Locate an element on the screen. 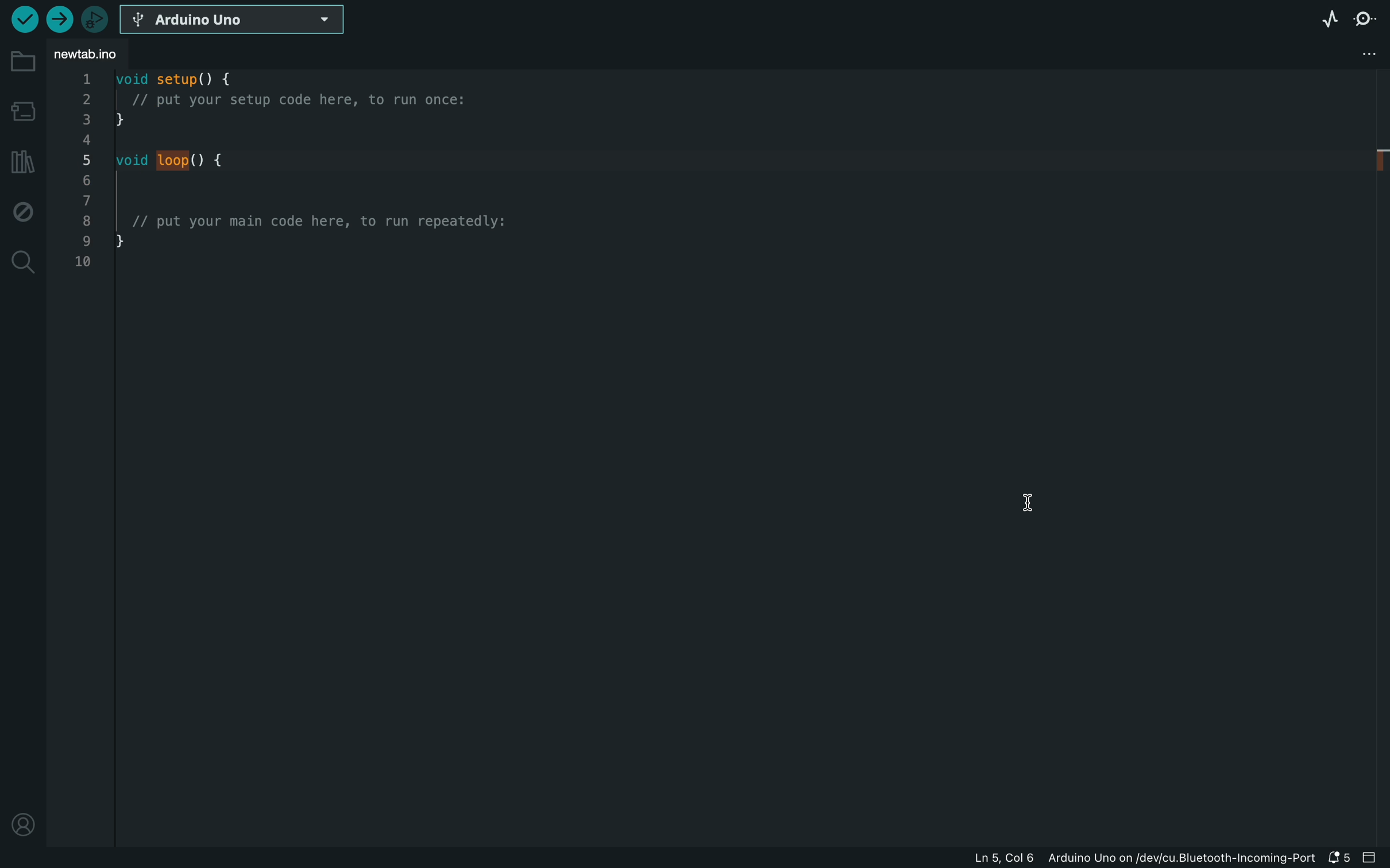 This screenshot has height=868, width=1390. file information is located at coordinates (1142, 858).